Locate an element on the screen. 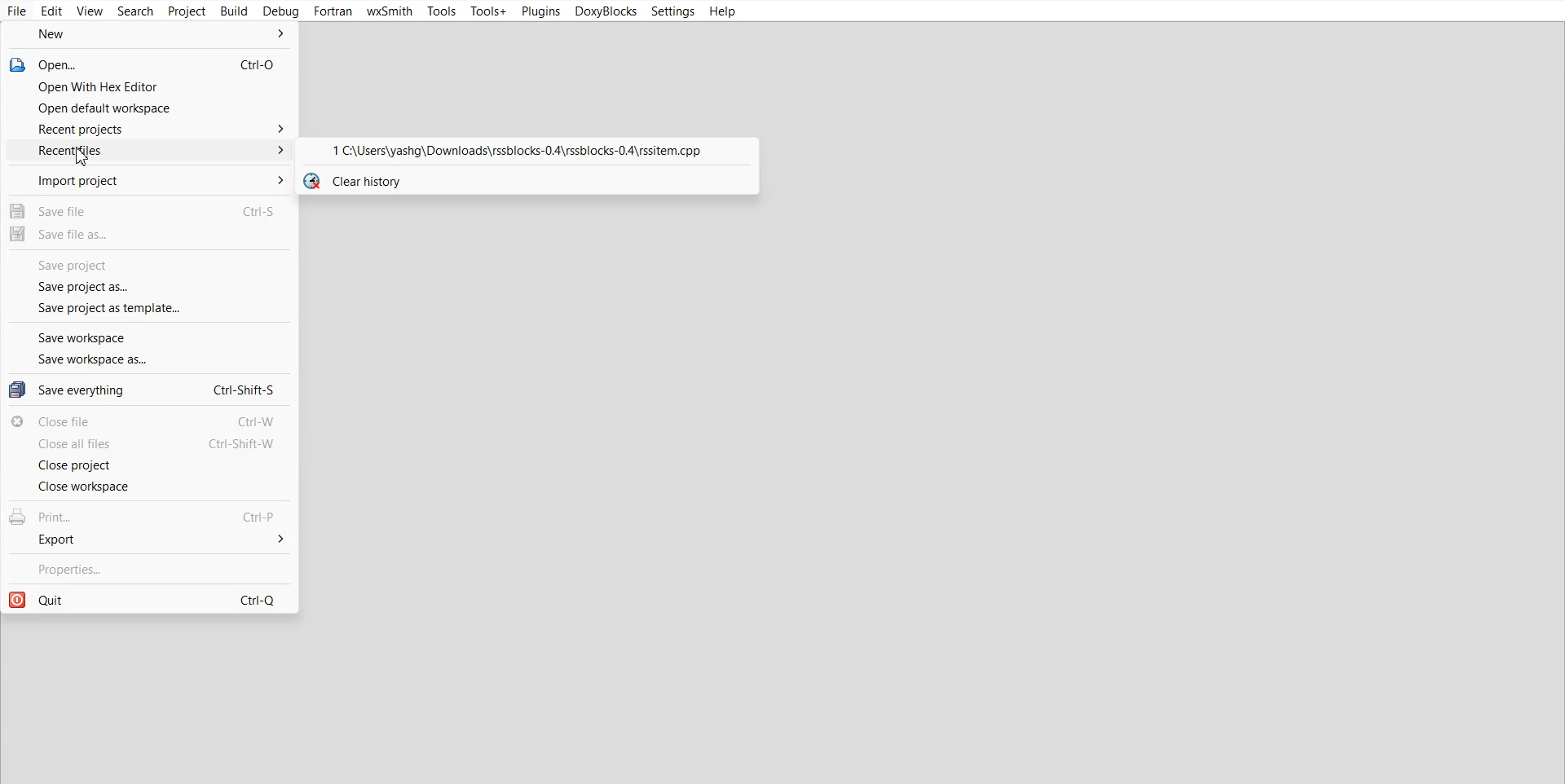 This screenshot has height=784, width=1565. Clear History is located at coordinates (526, 181).